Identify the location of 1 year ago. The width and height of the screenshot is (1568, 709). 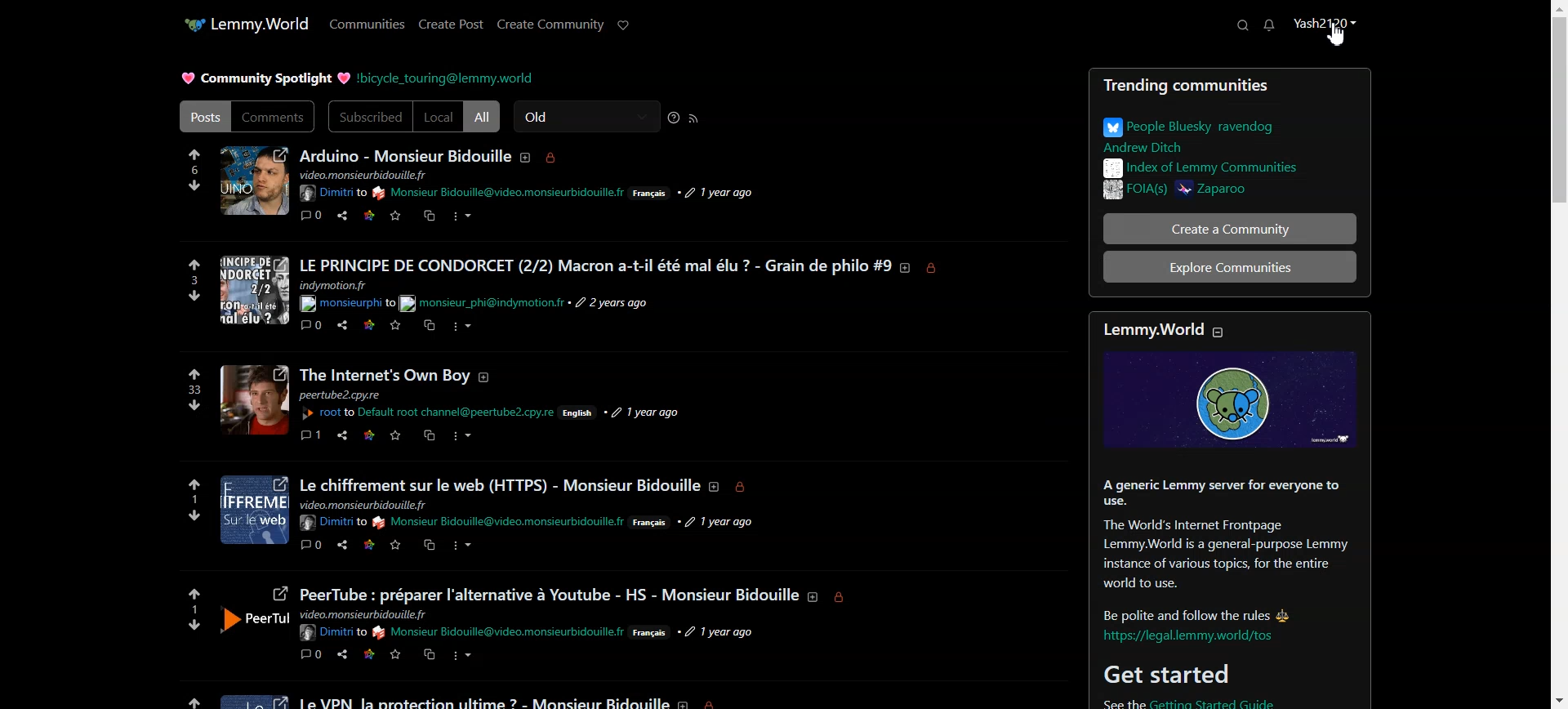
(729, 521).